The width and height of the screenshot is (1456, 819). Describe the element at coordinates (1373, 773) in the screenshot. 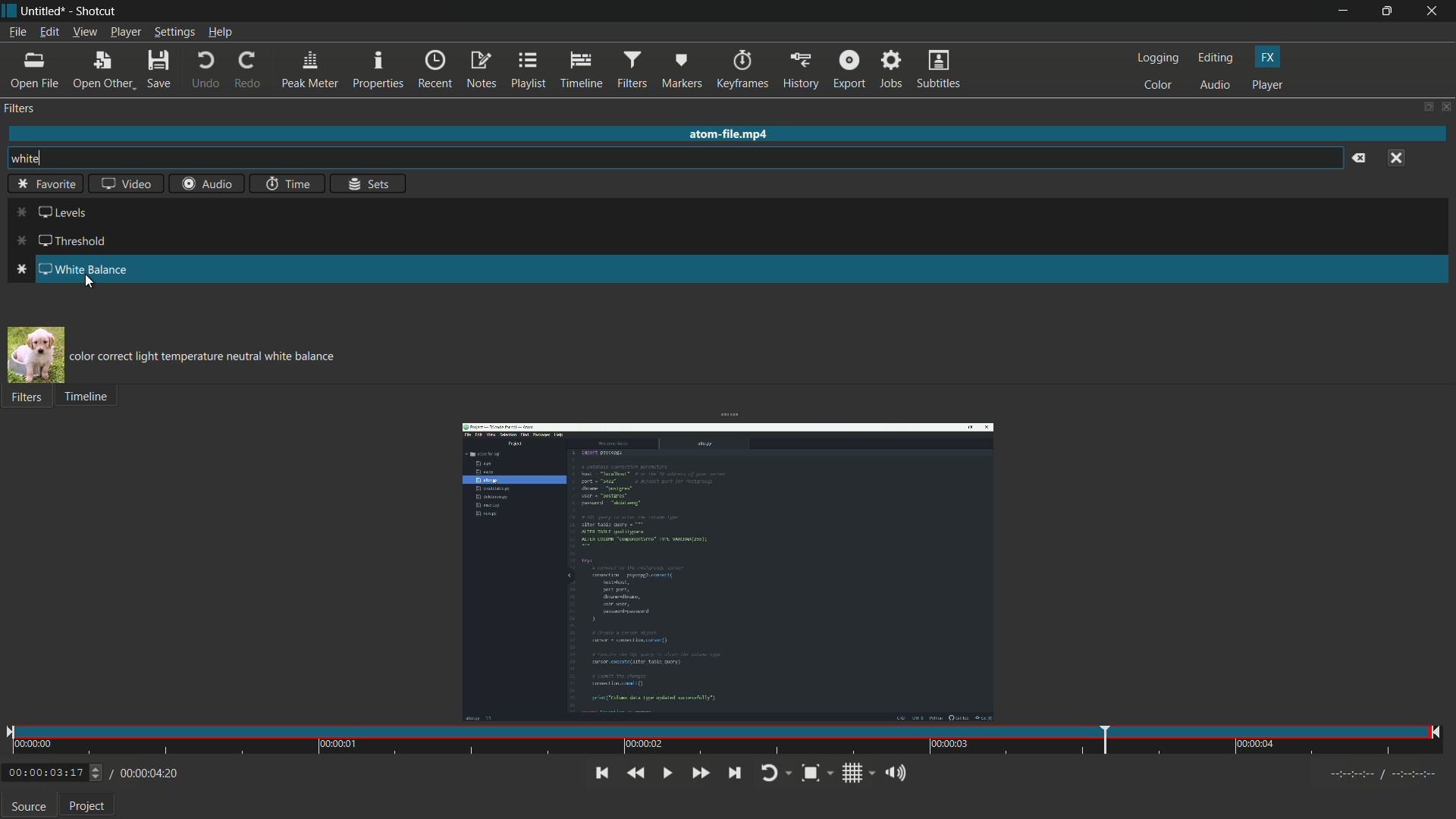

I see `Timecodes` at that location.